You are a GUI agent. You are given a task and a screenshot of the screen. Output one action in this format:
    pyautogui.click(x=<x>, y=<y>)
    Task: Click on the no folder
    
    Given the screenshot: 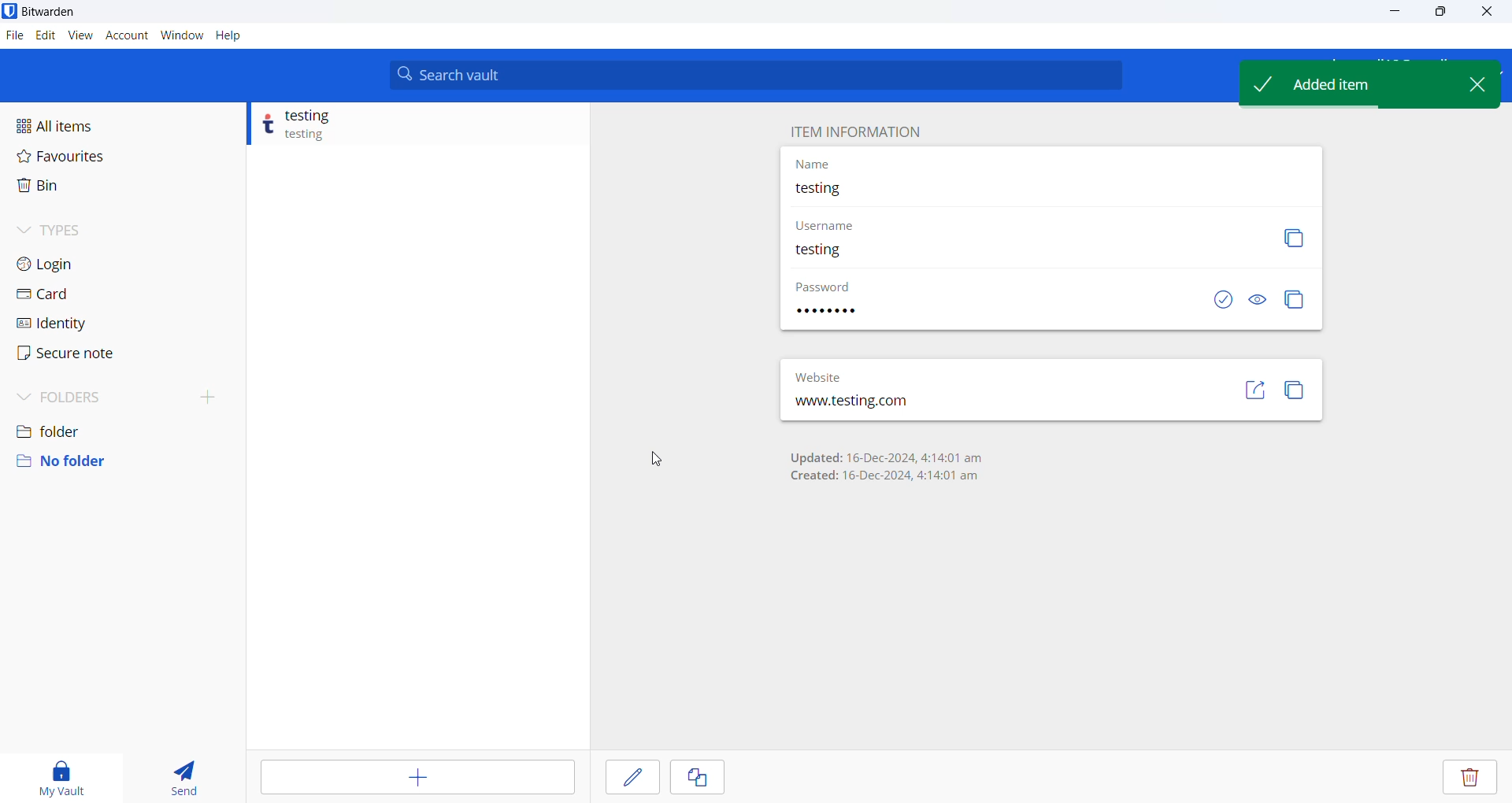 What is the action you would take?
    pyautogui.click(x=111, y=461)
    